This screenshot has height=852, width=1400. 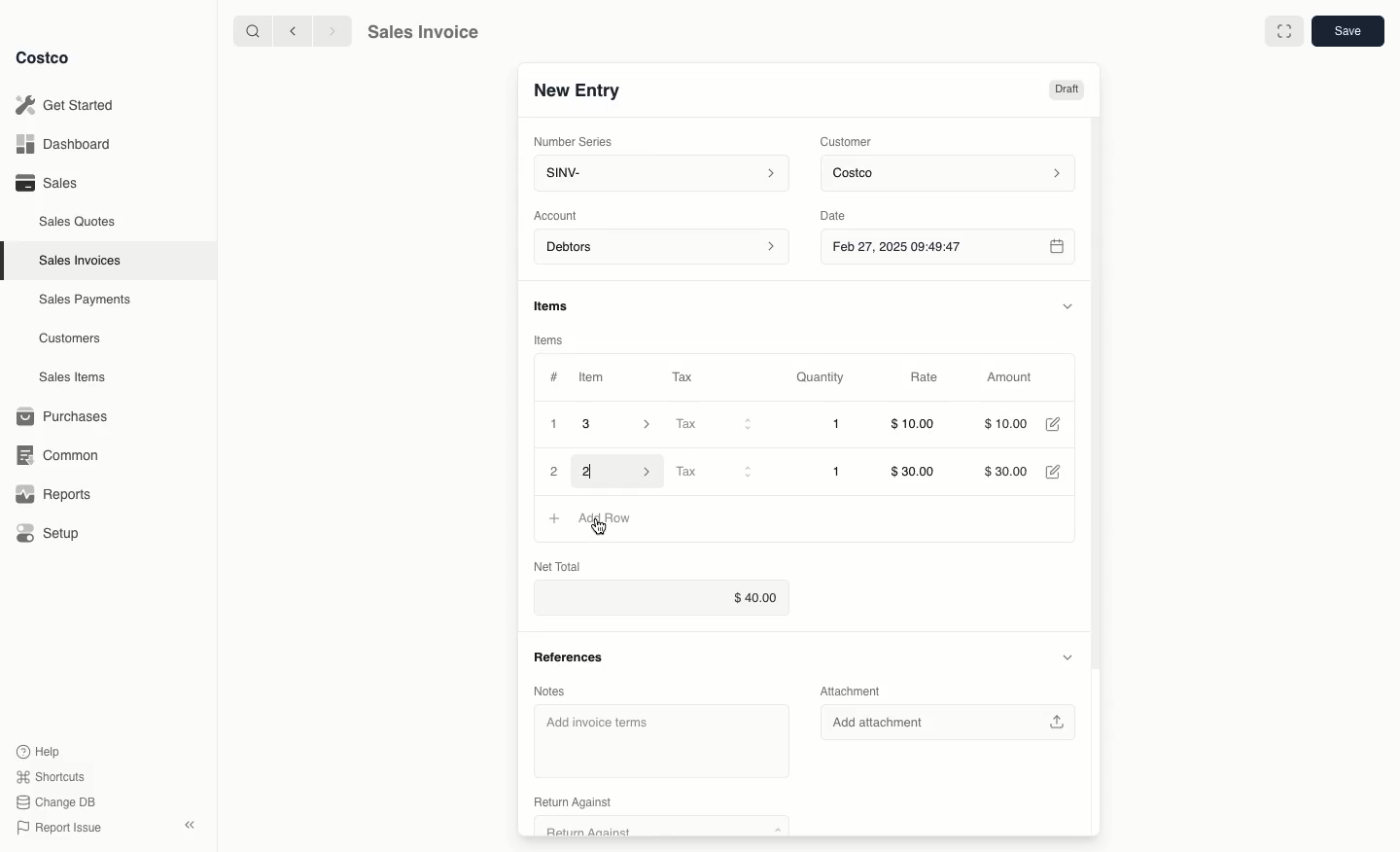 What do you see at coordinates (1067, 303) in the screenshot?
I see `Hide` at bounding box center [1067, 303].